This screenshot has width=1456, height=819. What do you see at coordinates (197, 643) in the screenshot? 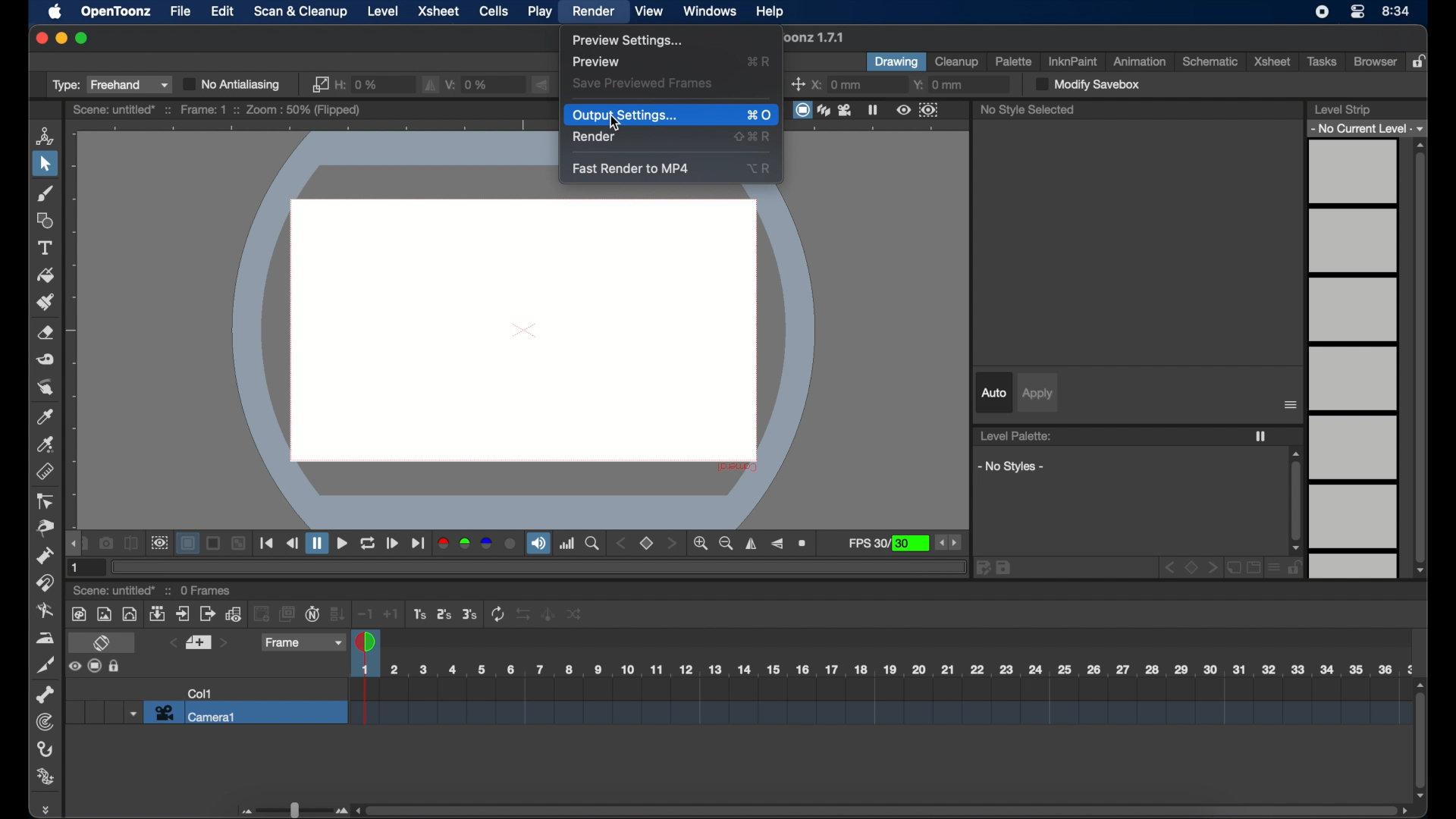
I see `set` at bounding box center [197, 643].